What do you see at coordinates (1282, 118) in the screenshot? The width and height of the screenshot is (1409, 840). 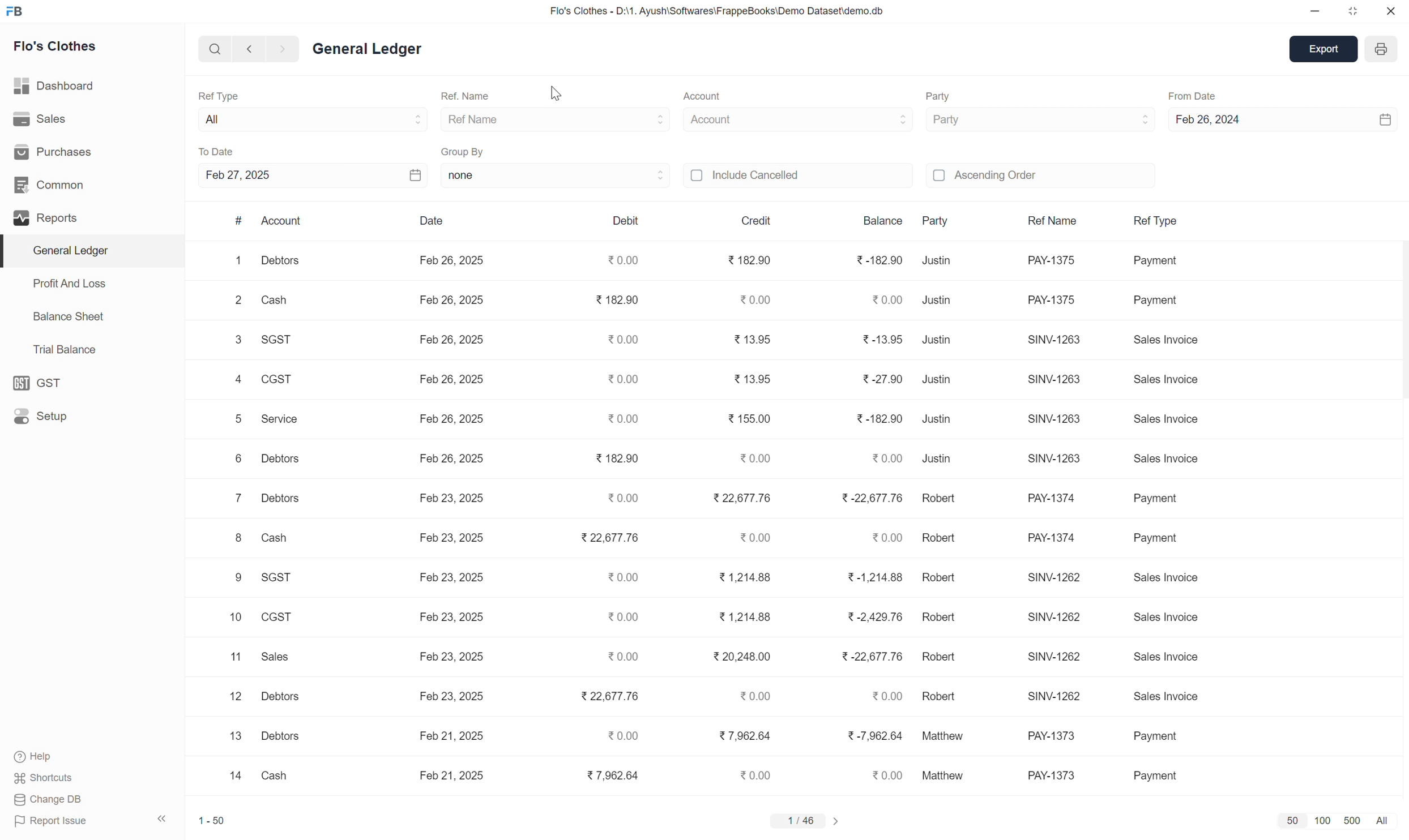 I see `feb 26, 2024` at bounding box center [1282, 118].